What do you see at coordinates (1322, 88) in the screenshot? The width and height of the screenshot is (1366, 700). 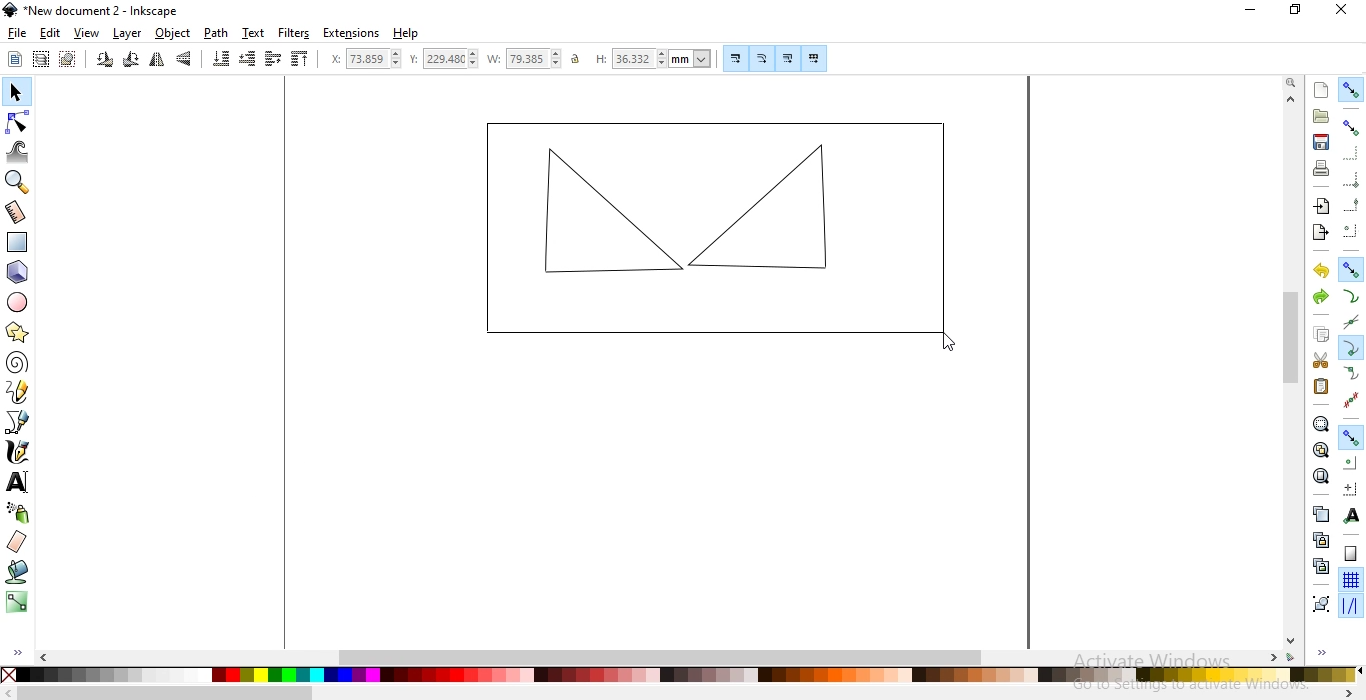 I see `create new document from default template` at bounding box center [1322, 88].